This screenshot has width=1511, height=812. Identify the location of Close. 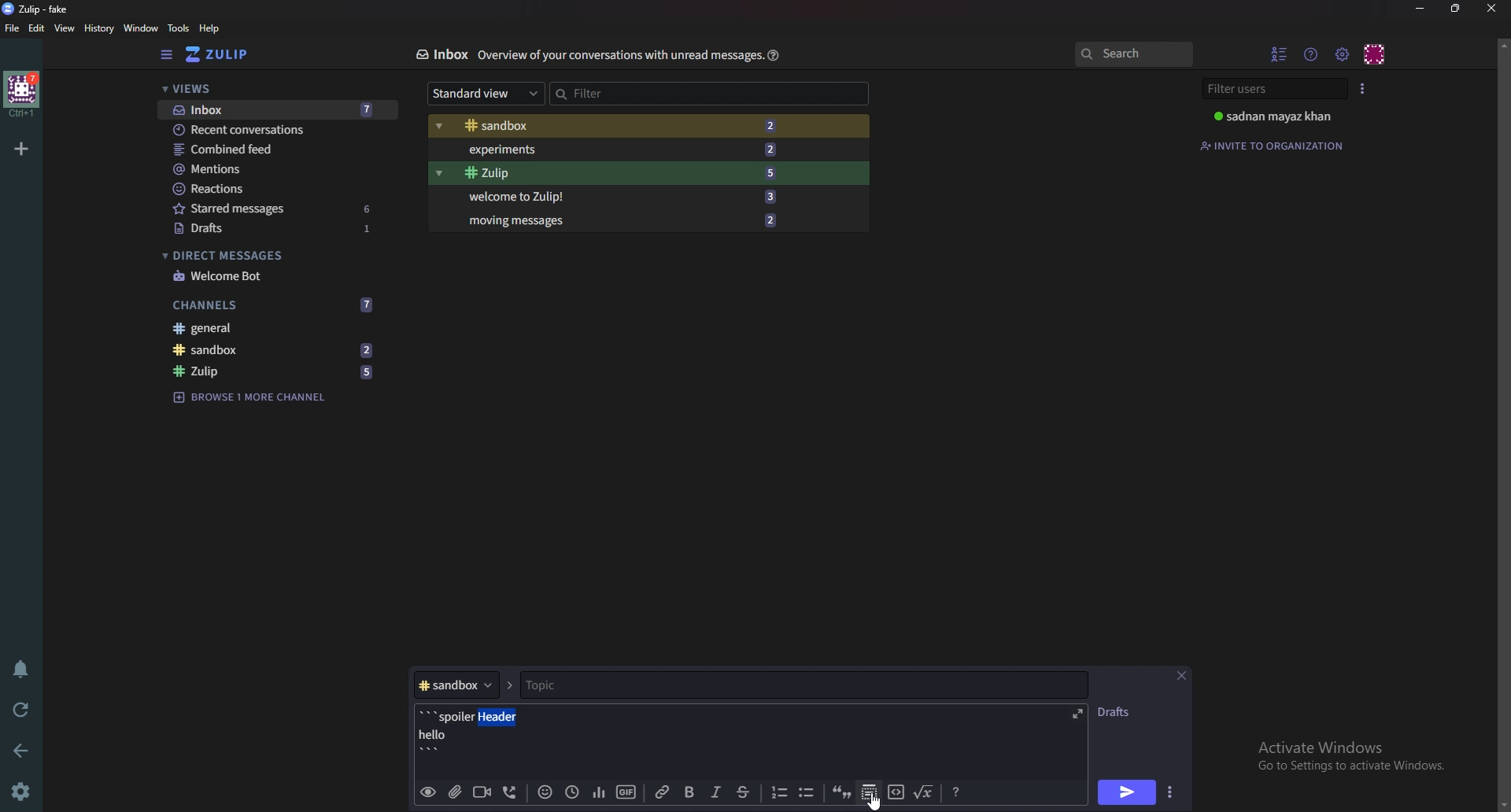
(1180, 674).